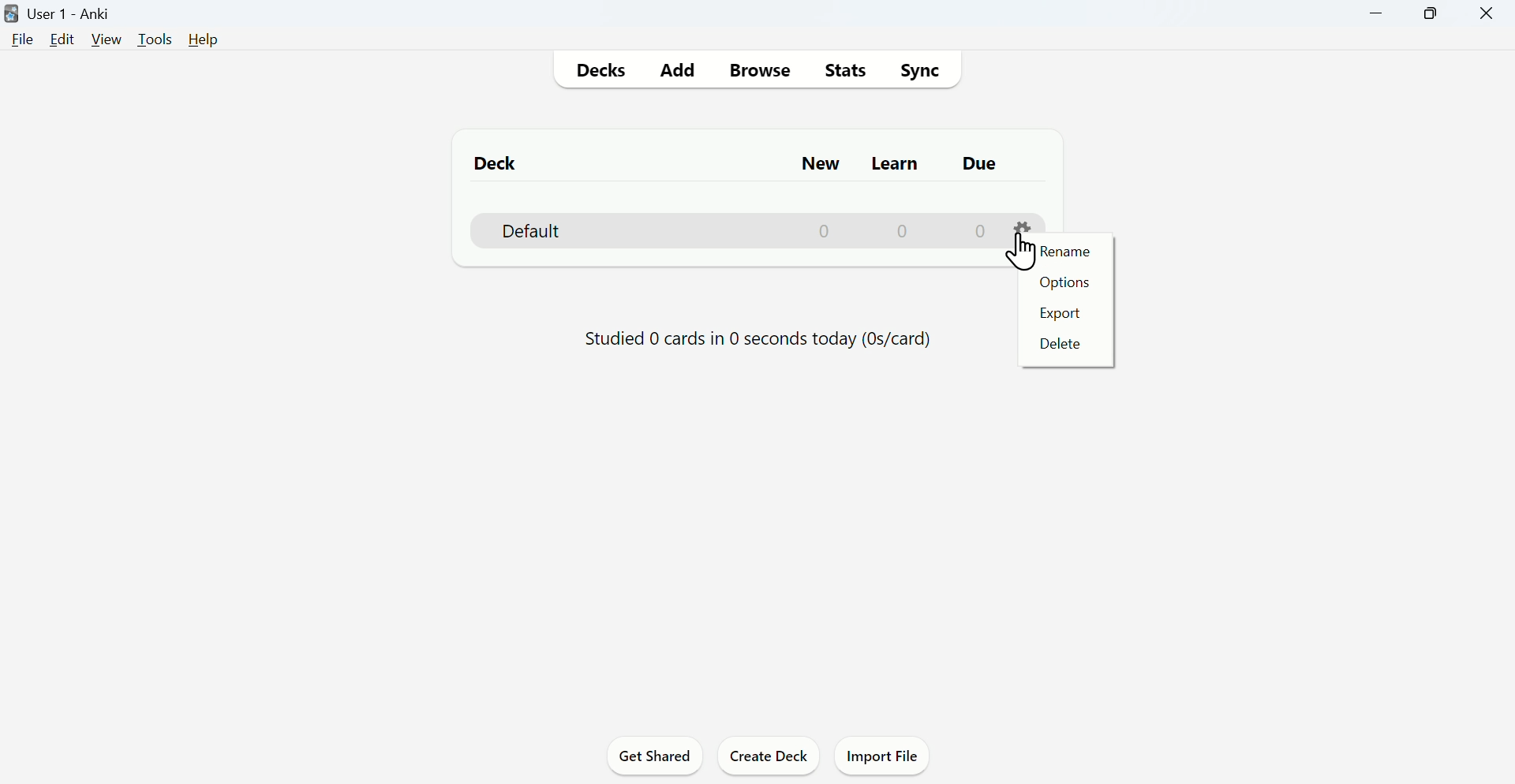 This screenshot has width=1515, height=784. Describe the element at coordinates (897, 163) in the screenshot. I see `Learn` at that location.